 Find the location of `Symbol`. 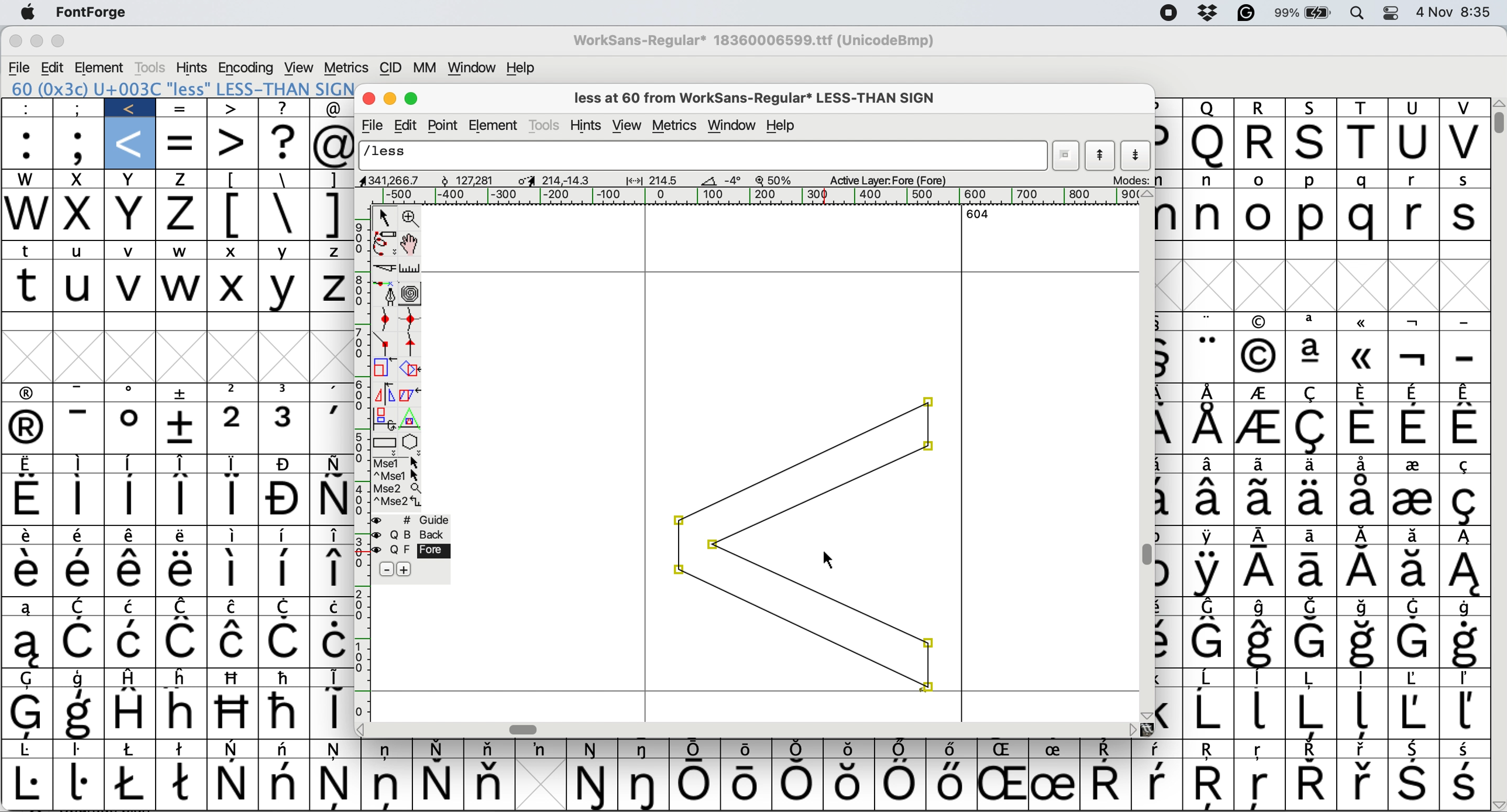

Symbol is located at coordinates (183, 677).